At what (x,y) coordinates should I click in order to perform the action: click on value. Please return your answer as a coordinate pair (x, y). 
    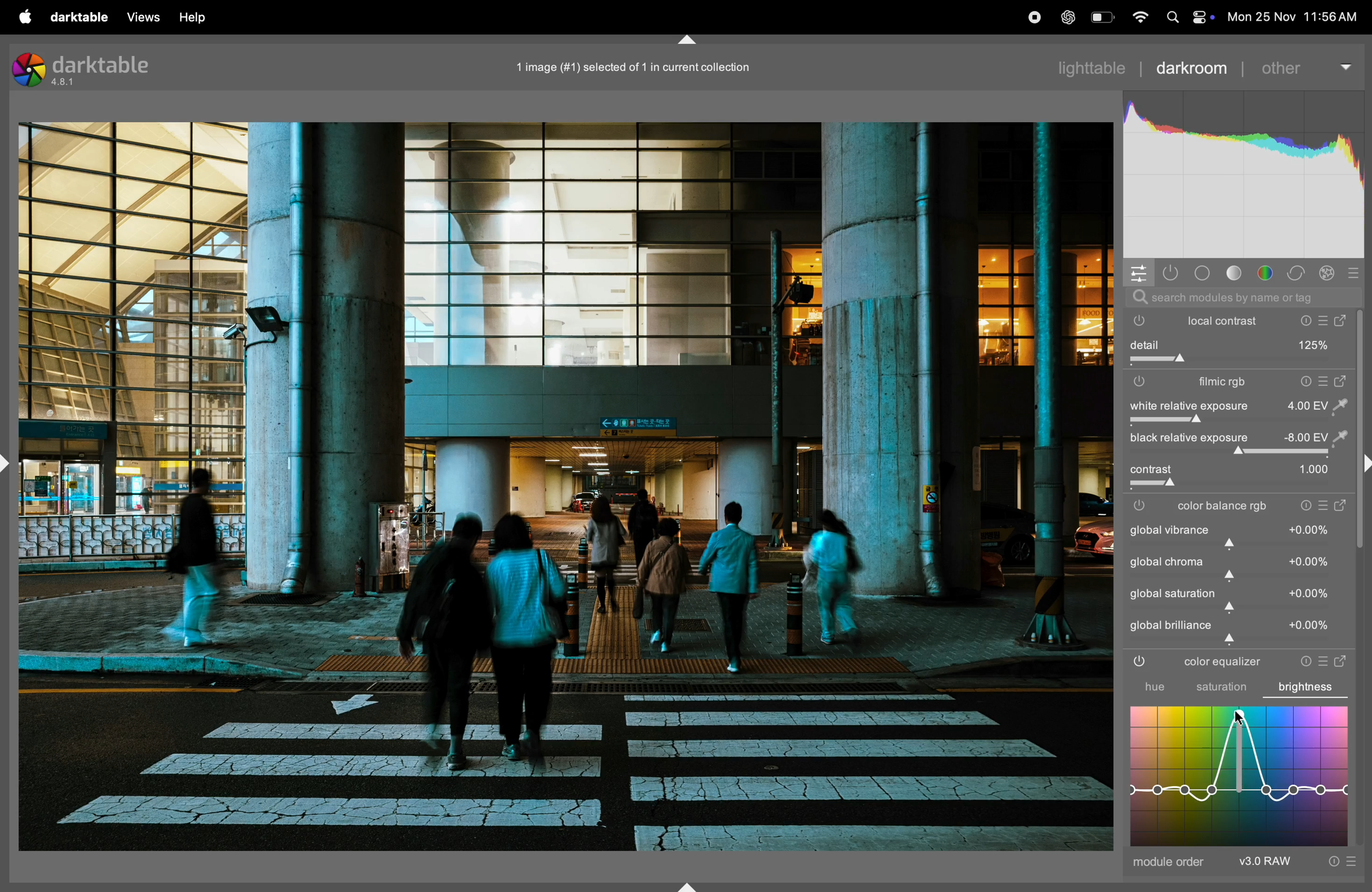
    Looking at the image, I should click on (1310, 594).